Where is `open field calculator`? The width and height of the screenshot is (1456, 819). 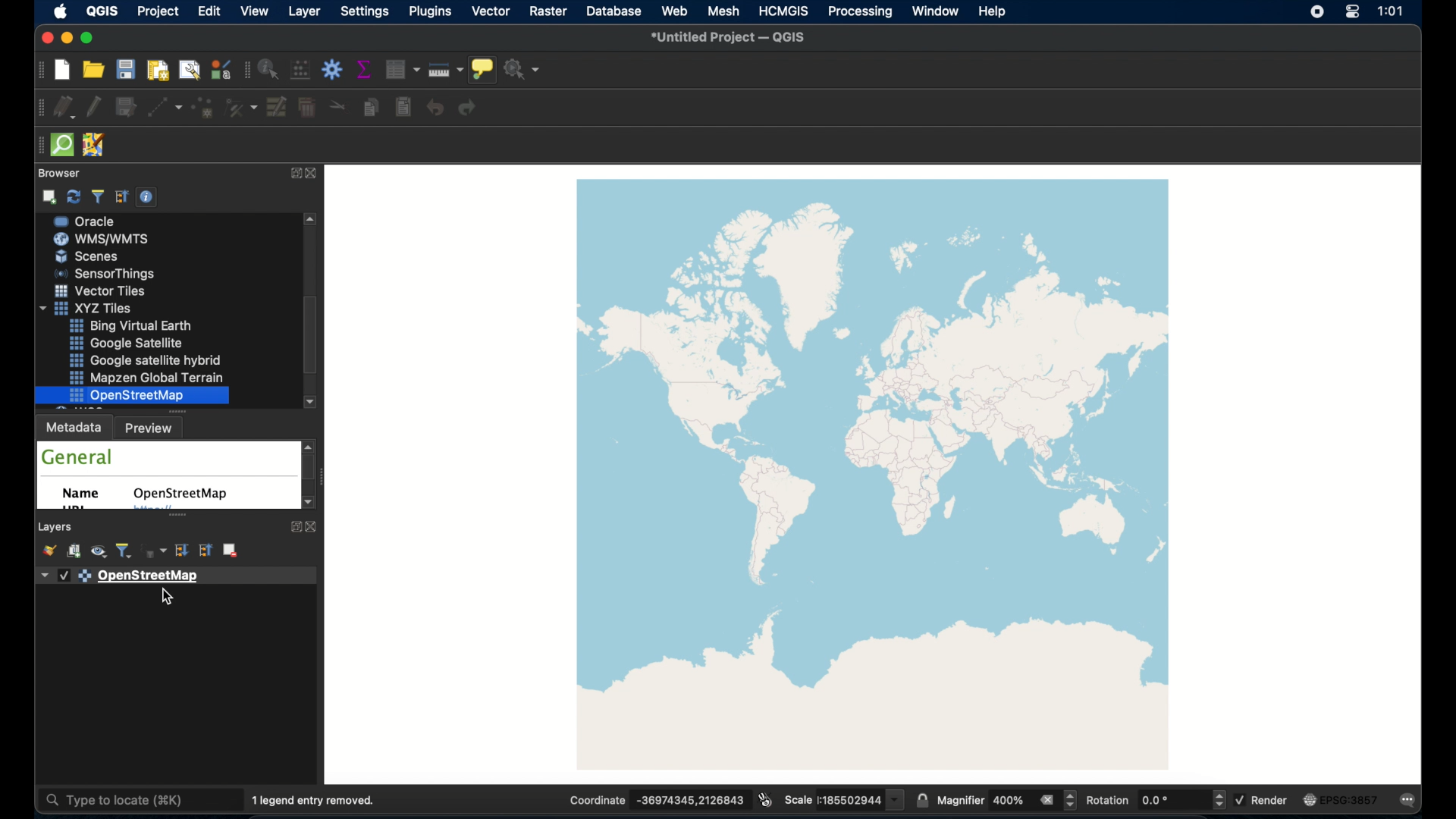
open field calculator is located at coordinates (300, 70).